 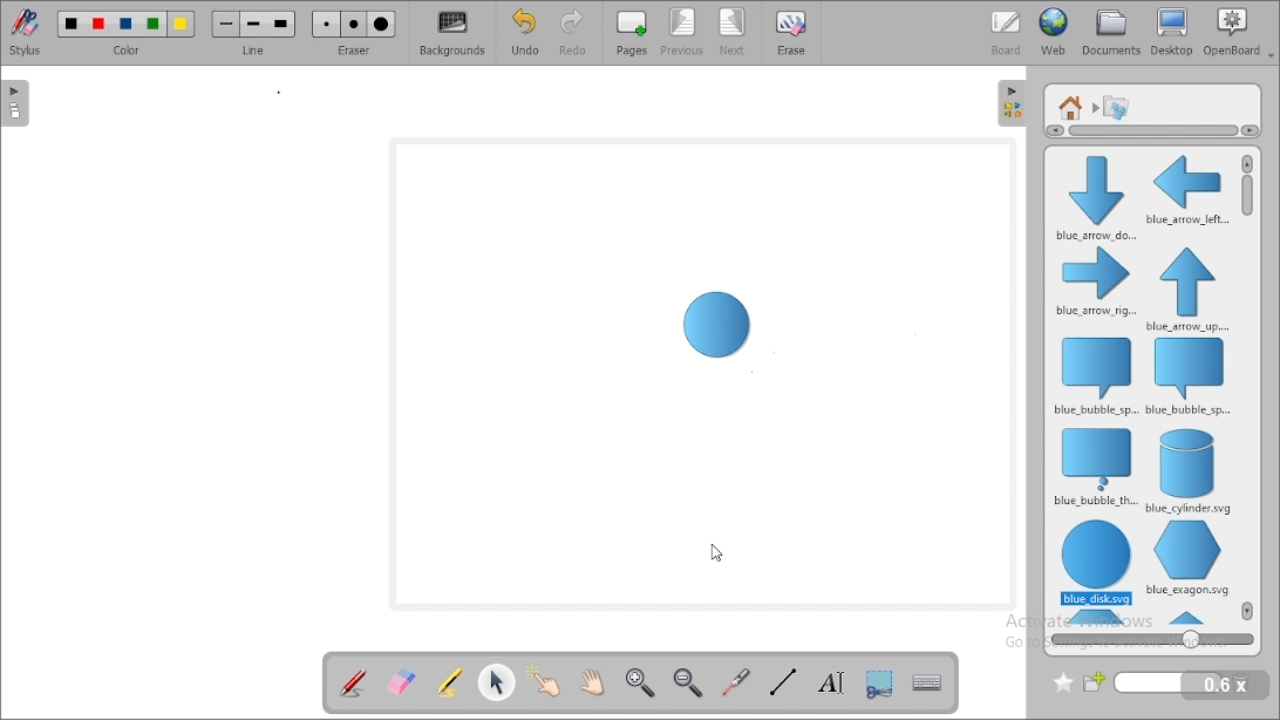 What do you see at coordinates (448, 681) in the screenshot?
I see `highlight` at bounding box center [448, 681].